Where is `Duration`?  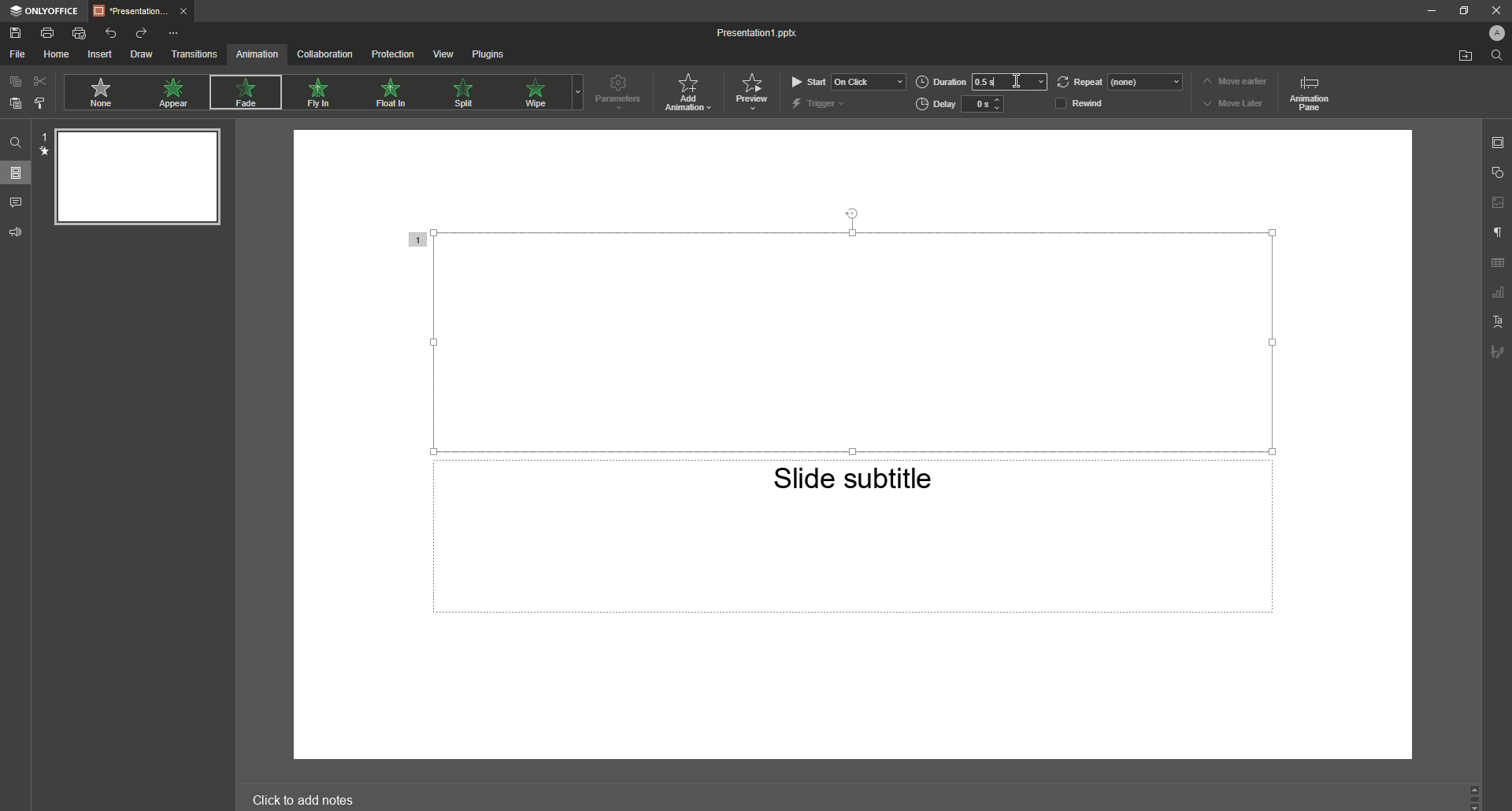
Duration is located at coordinates (980, 81).